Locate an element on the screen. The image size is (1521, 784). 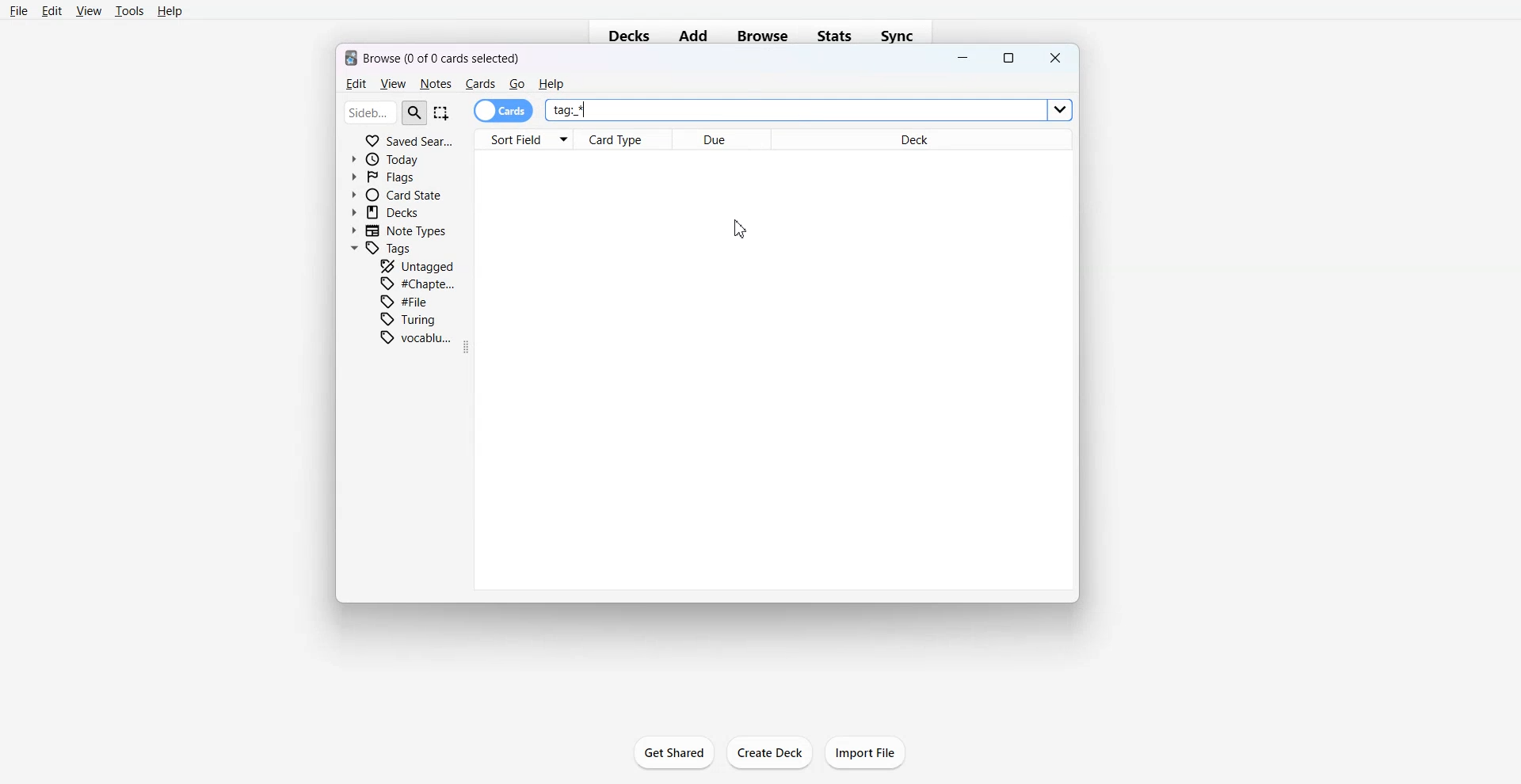
Deck is located at coordinates (921, 139).